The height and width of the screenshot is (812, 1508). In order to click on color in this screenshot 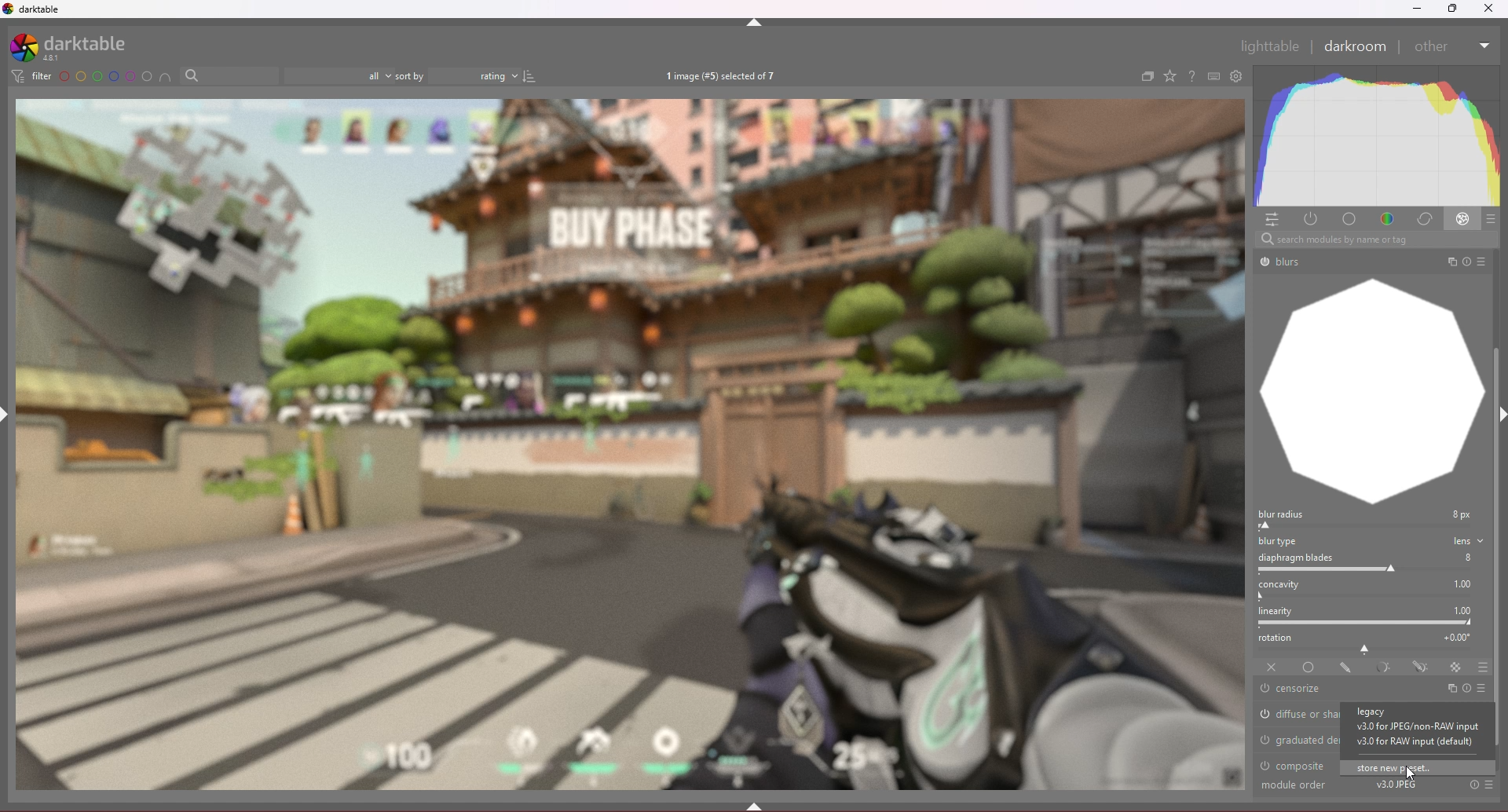, I will do `click(1389, 219)`.